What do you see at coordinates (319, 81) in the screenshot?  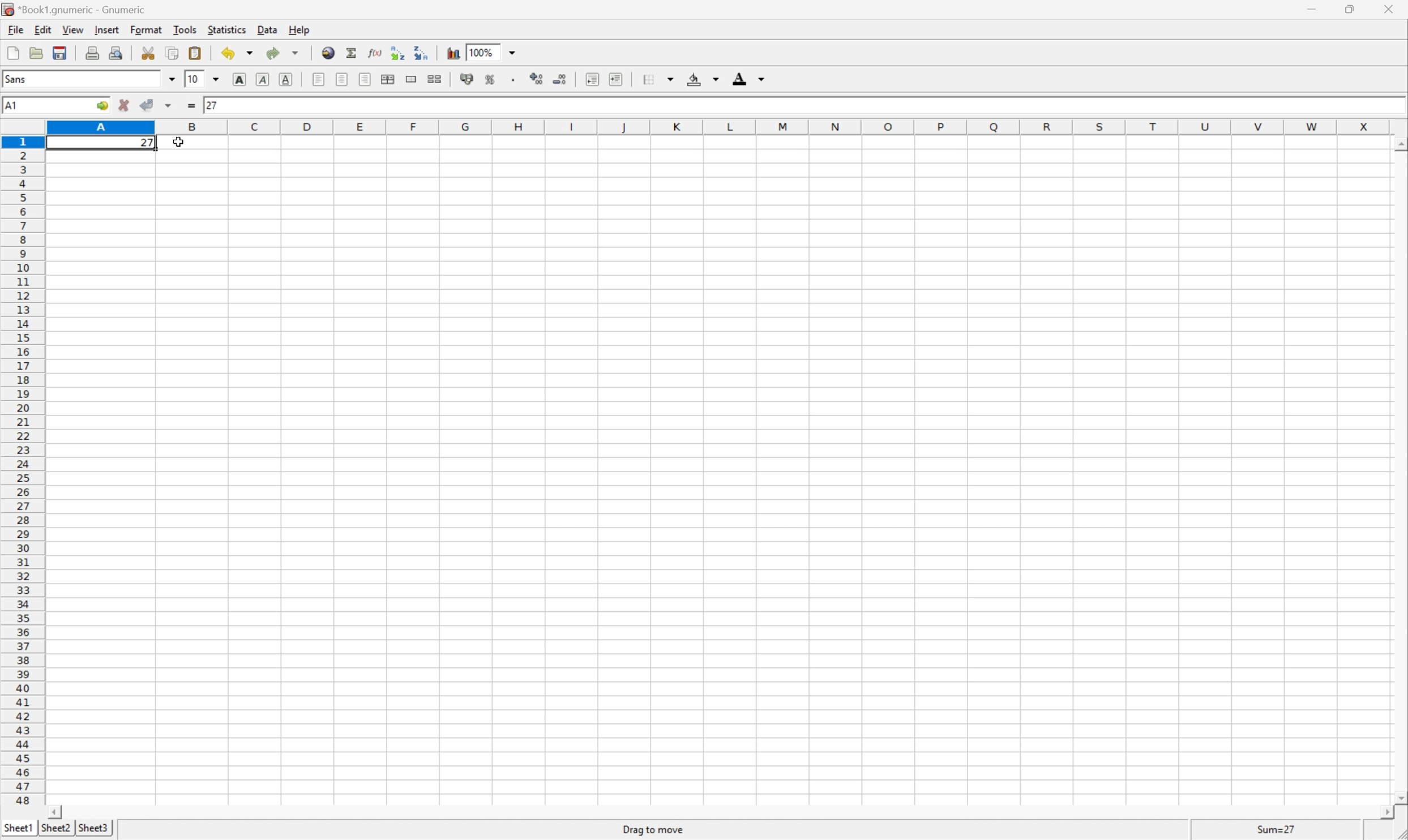 I see `Align Left` at bounding box center [319, 81].